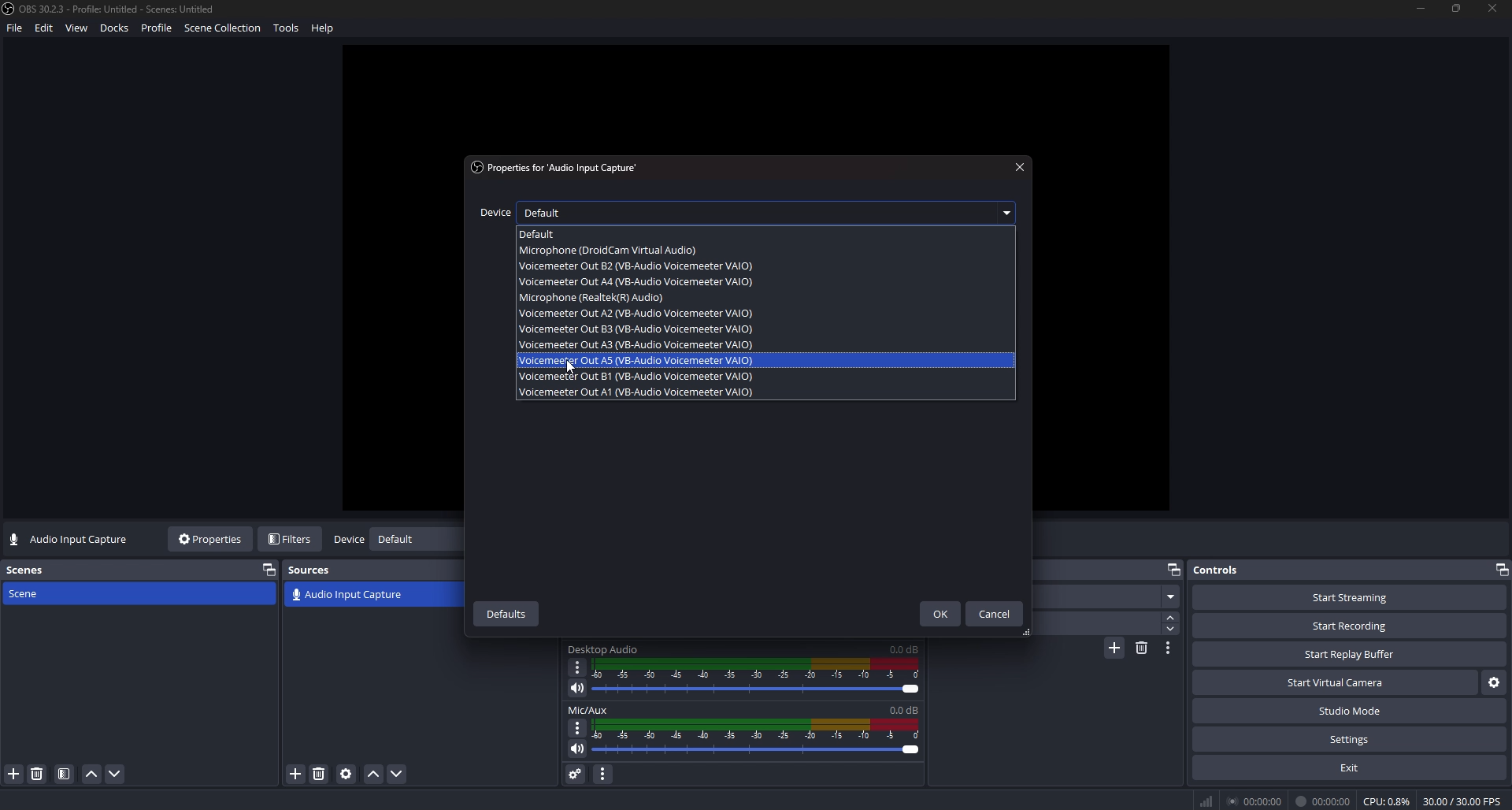  Describe the element at coordinates (1325, 801) in the screenshot. I see `I it` at that location.